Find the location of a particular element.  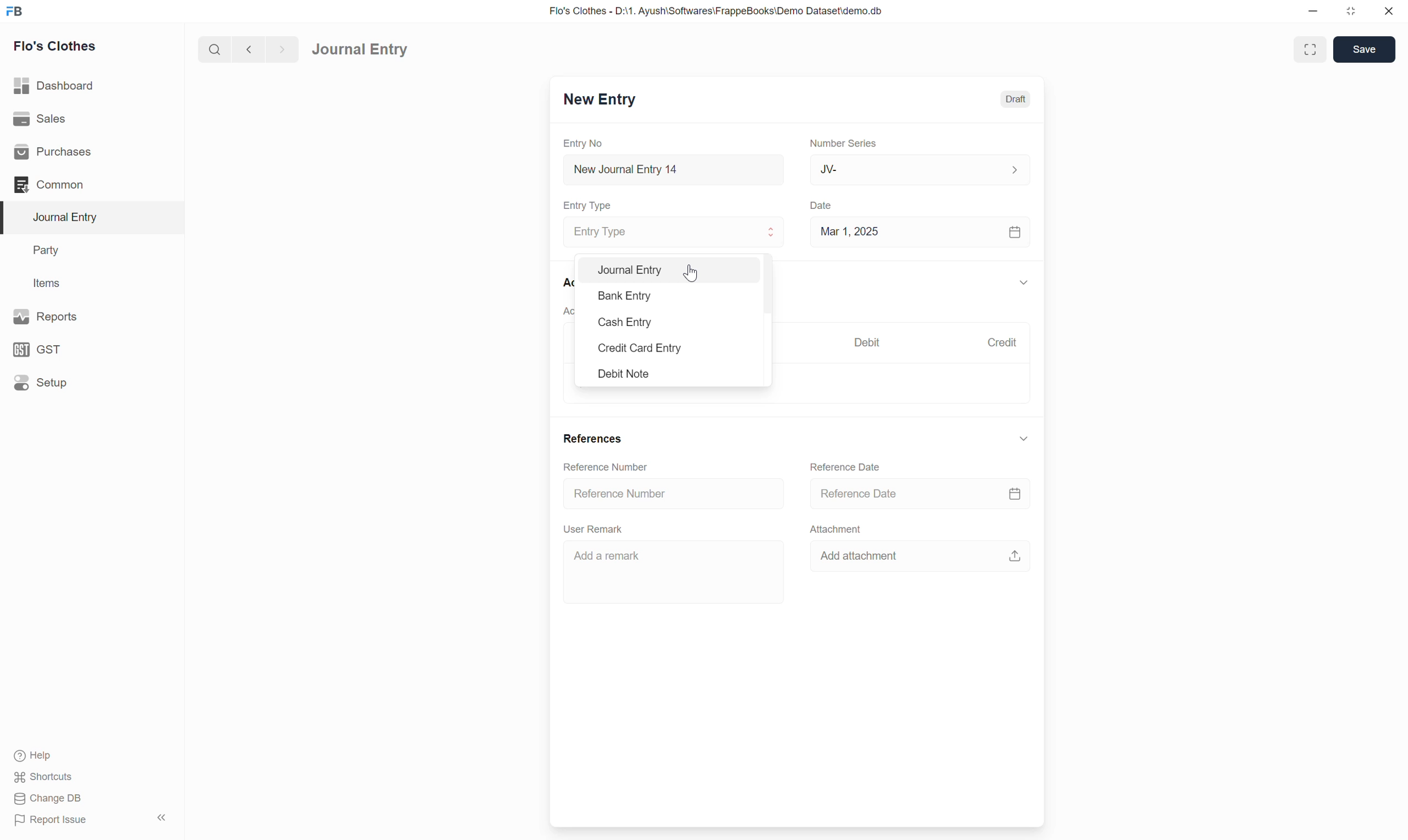

scroll bar is located at coordinates (769, 305).